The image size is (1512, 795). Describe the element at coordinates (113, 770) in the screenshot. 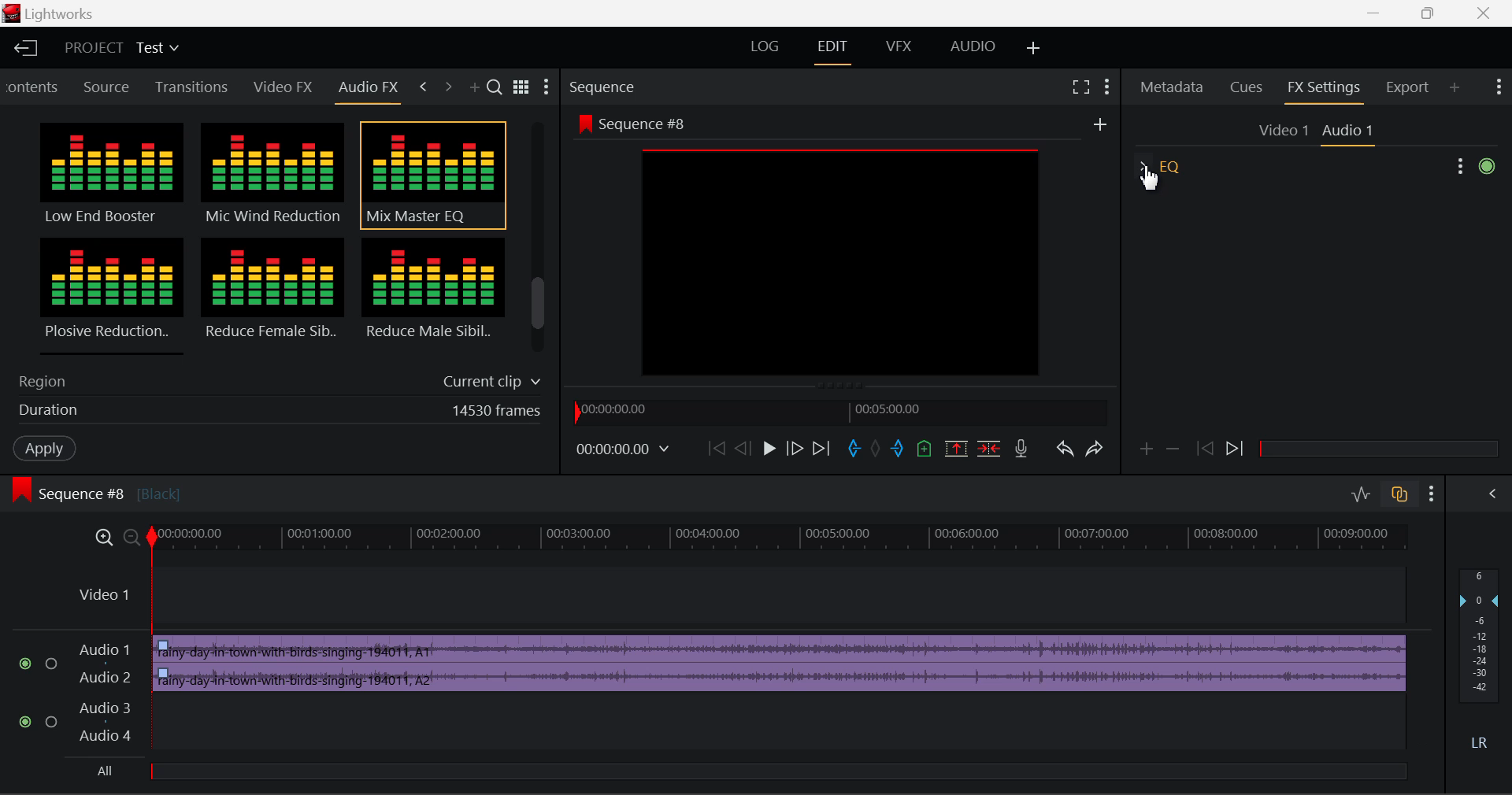

I see `All` at that location.